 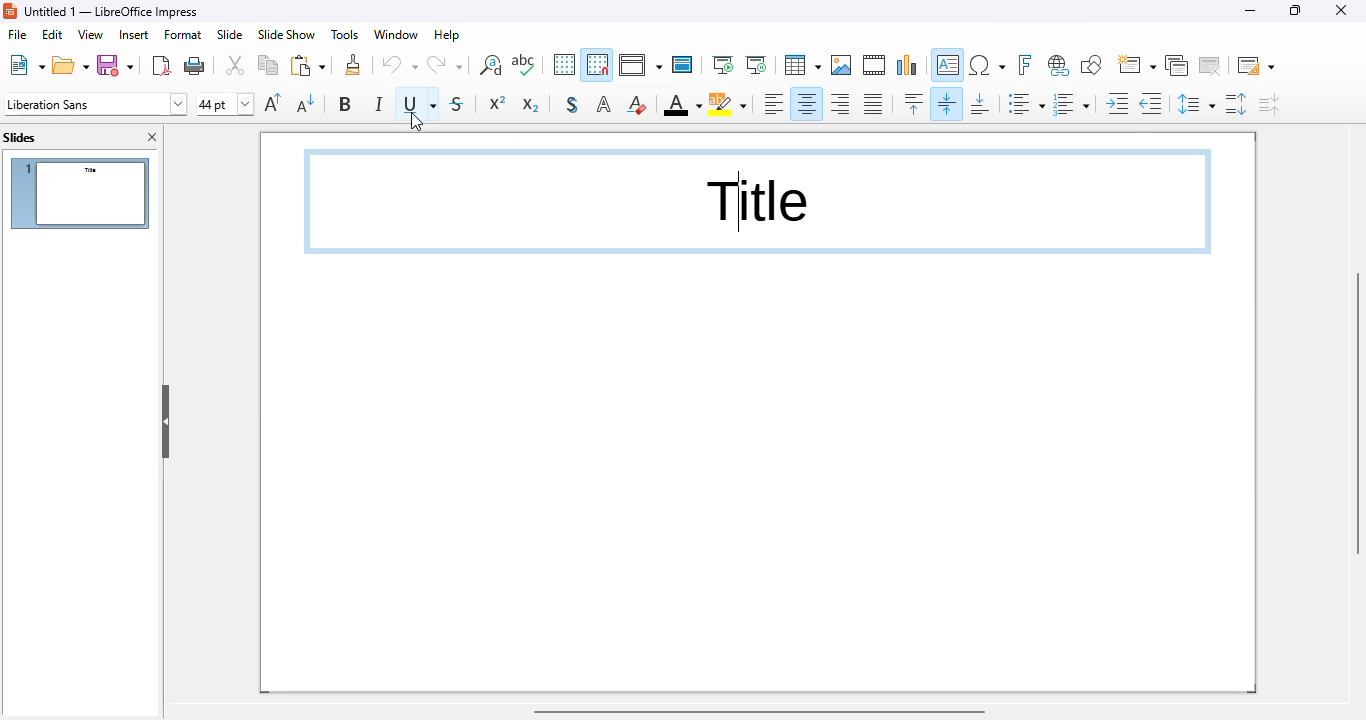 What do you see at coordinates (225, 104) in the screenshot?
I see `font size` at bounding box center [225, 104].